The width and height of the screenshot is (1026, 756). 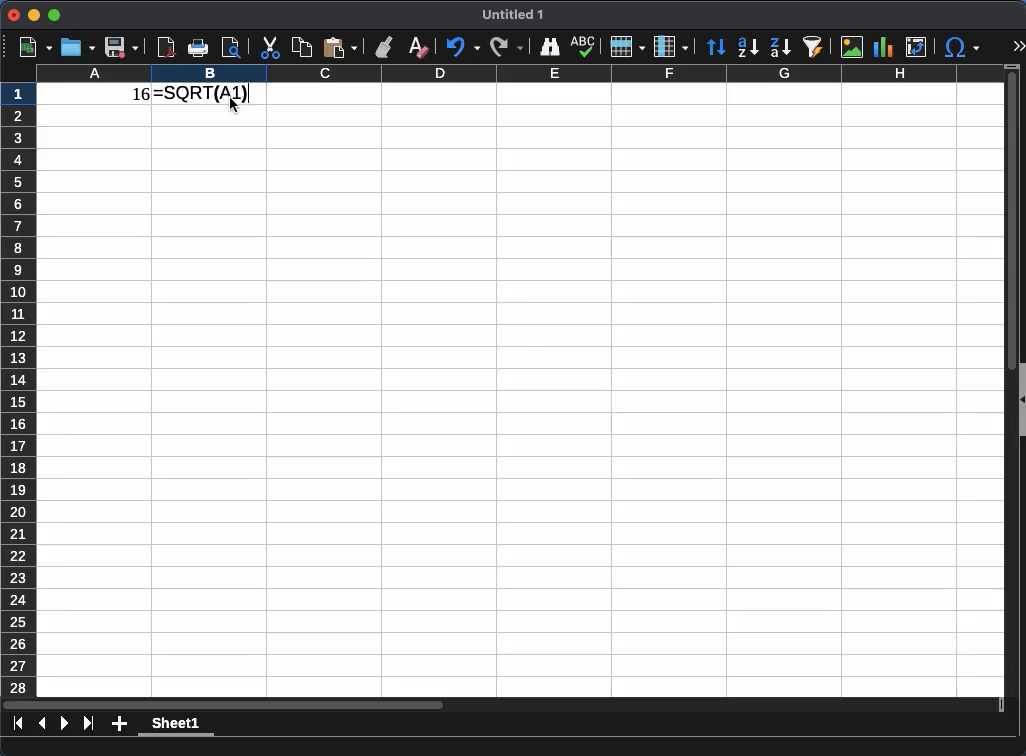 I want to click on minimize, so click(x=35, y=15).